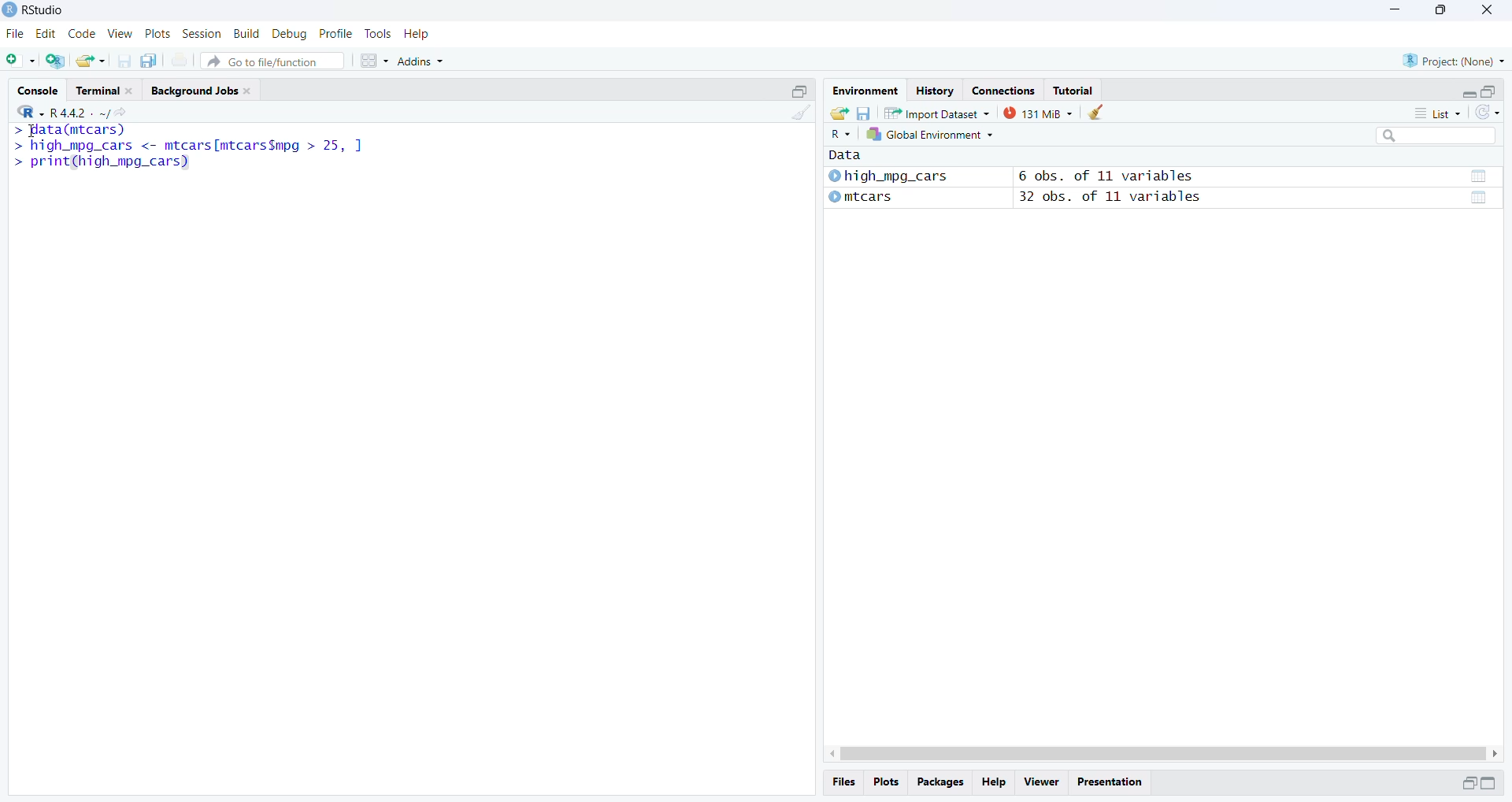  I want to click on view current directory, so click(113, 113).